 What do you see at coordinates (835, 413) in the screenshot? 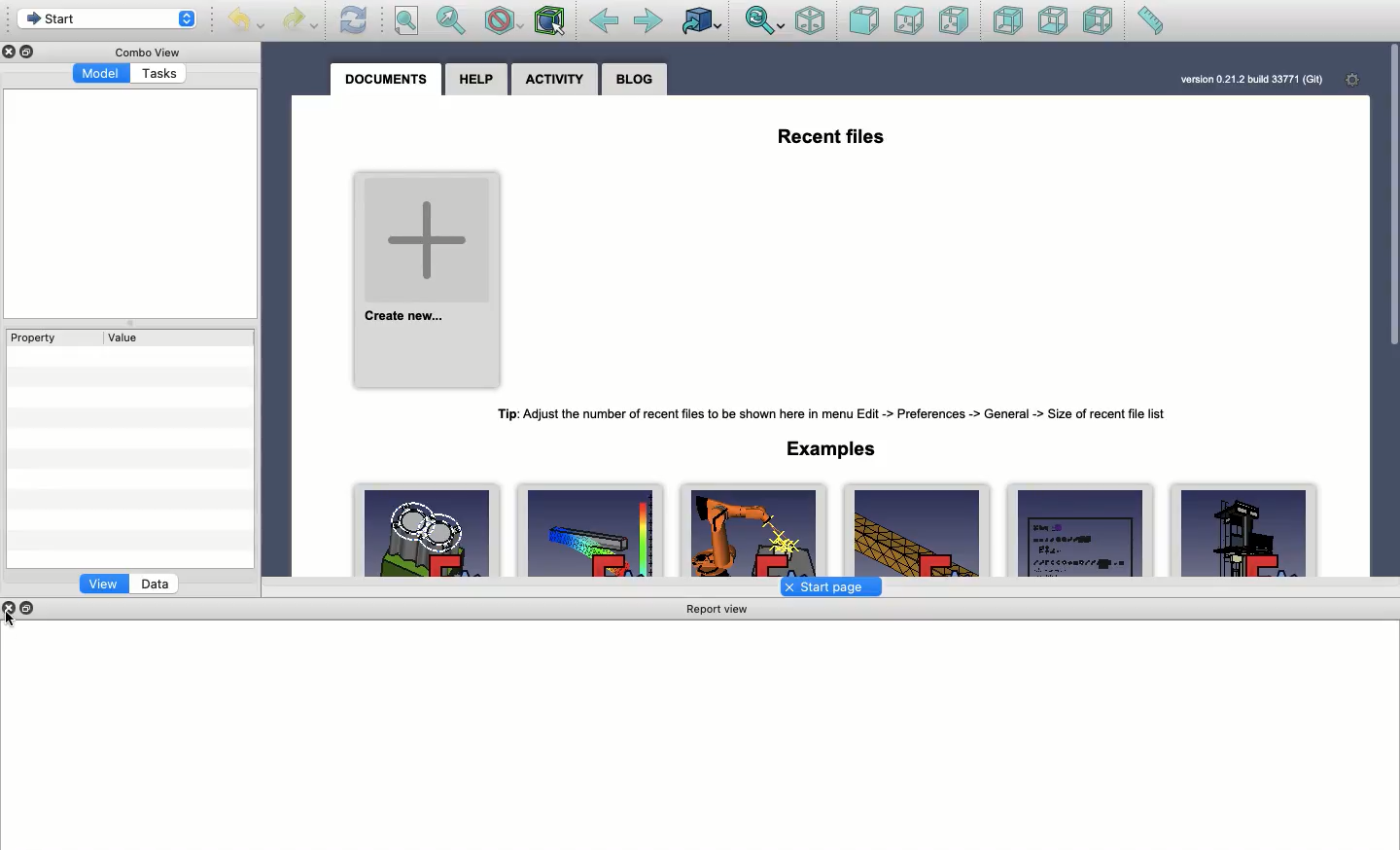
I see `Tip: Adjust the number of recent files to be shown here in menu Edit -> Preferences -> General -> Size of recent file list` at bounding box center [835, 413].